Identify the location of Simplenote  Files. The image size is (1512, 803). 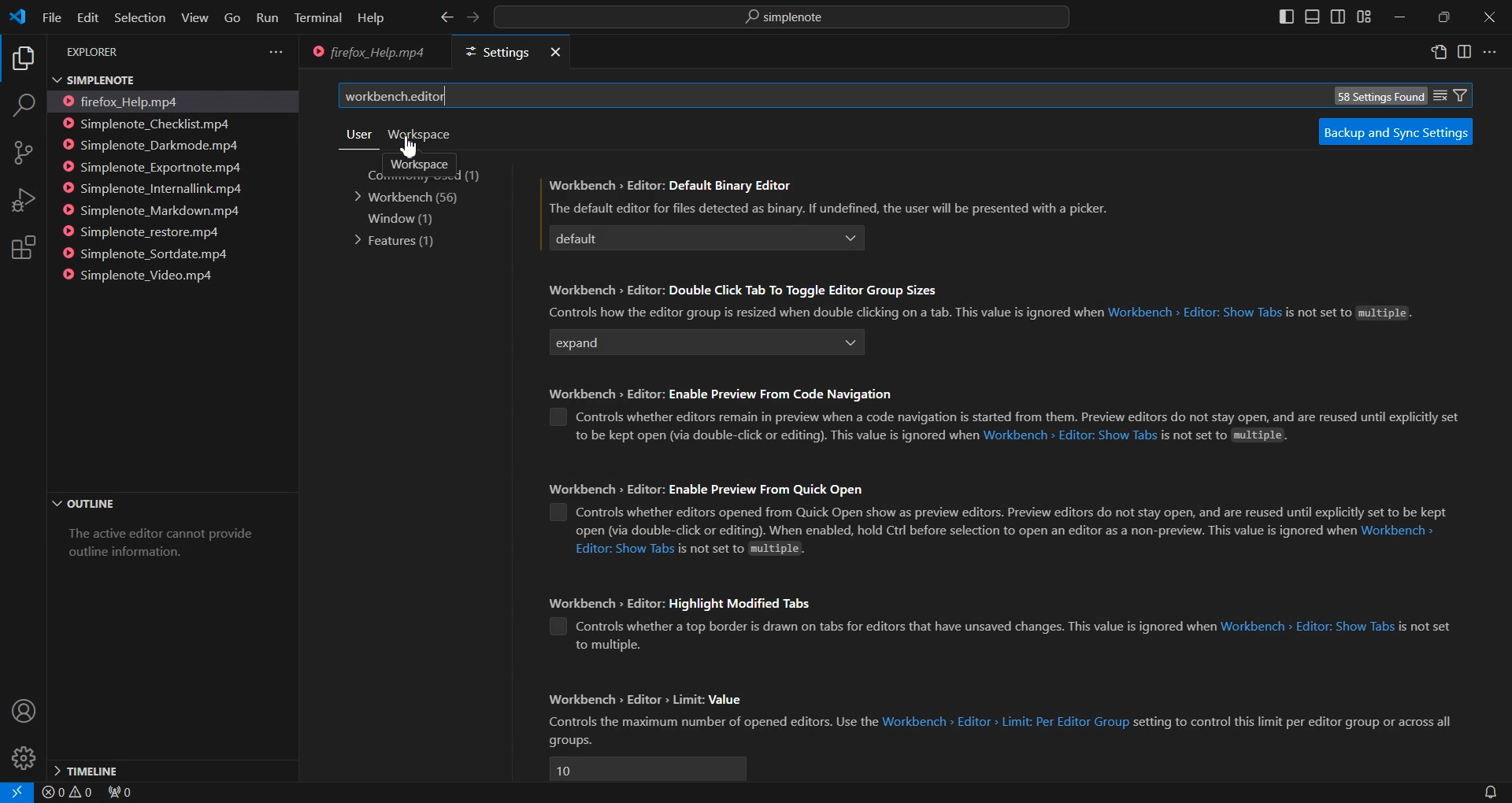
(157, 79).